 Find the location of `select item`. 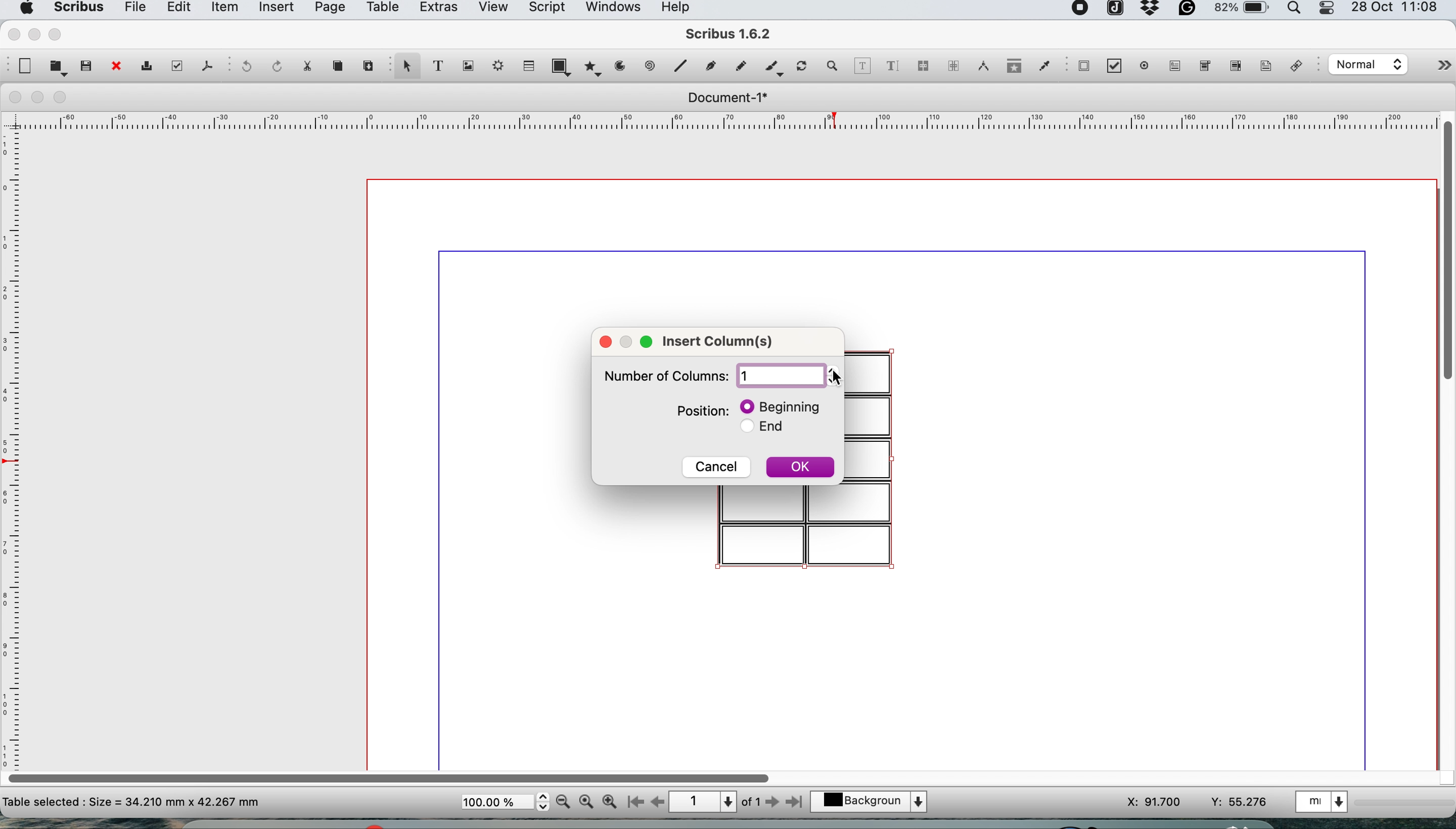

select item is located at coordinates (405, 67).